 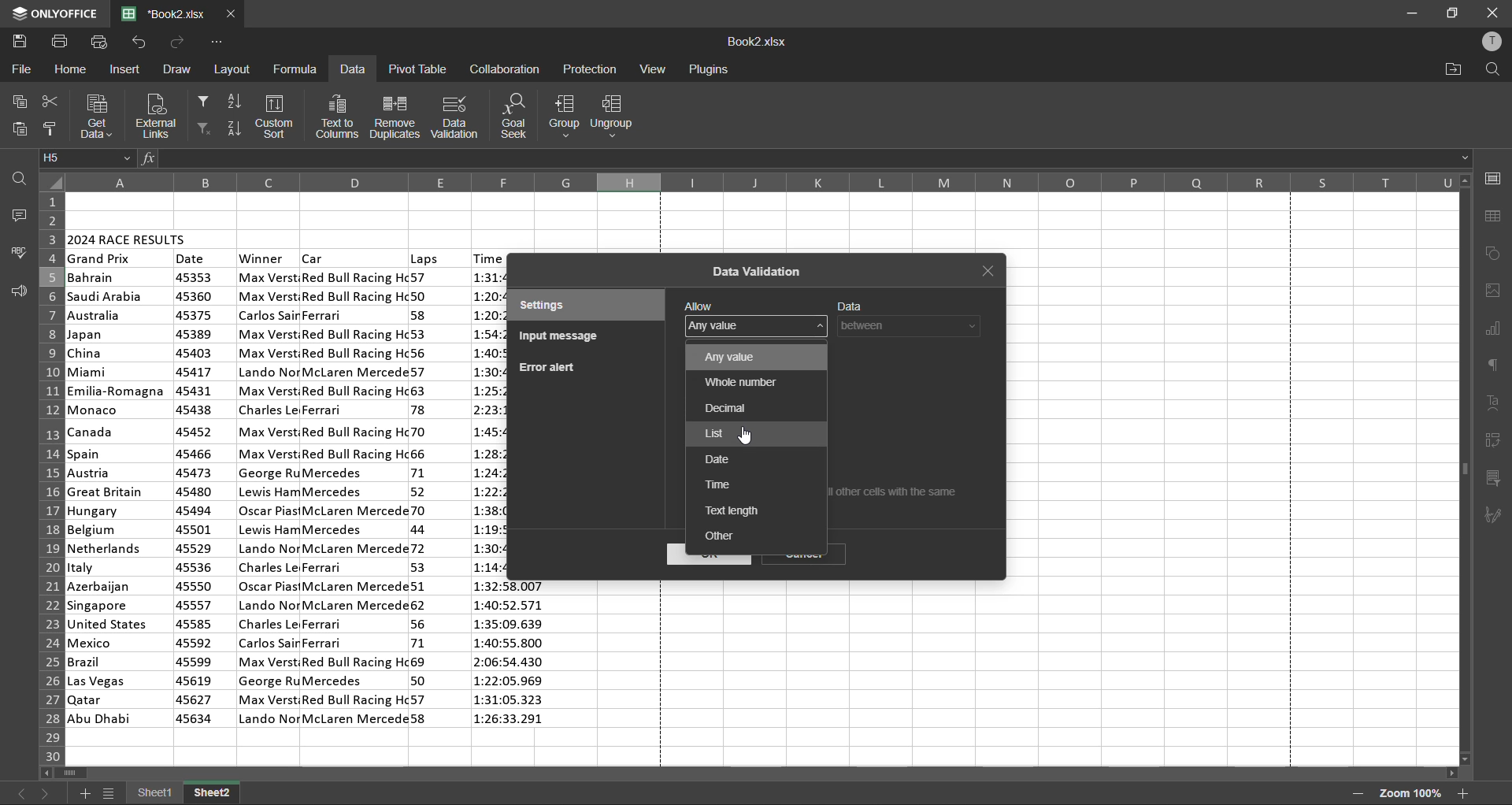 I want to click on laps, so click(x=424, y=258).